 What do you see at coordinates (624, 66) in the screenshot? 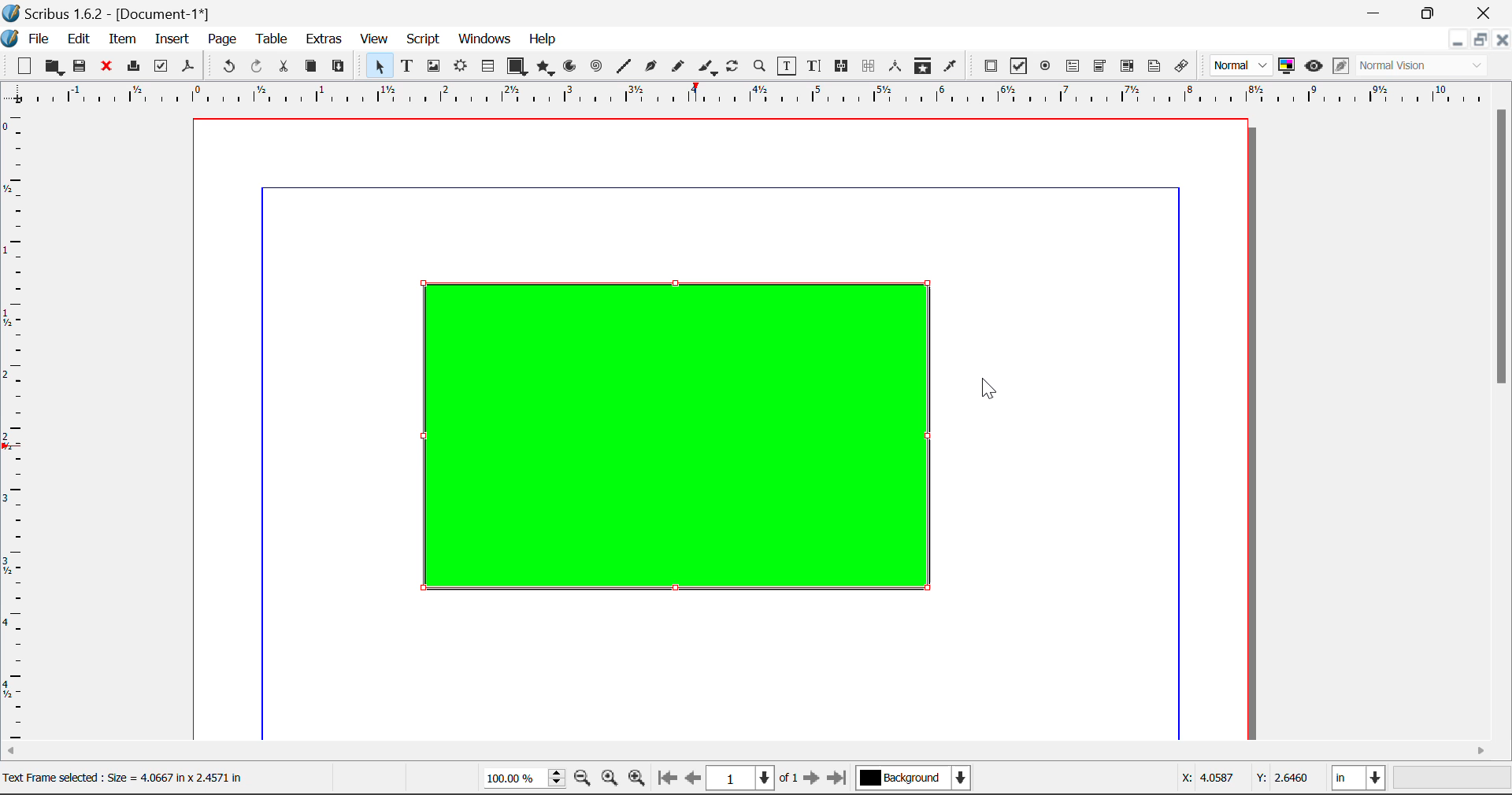
I see `Line` at bounding box center [624, 66].